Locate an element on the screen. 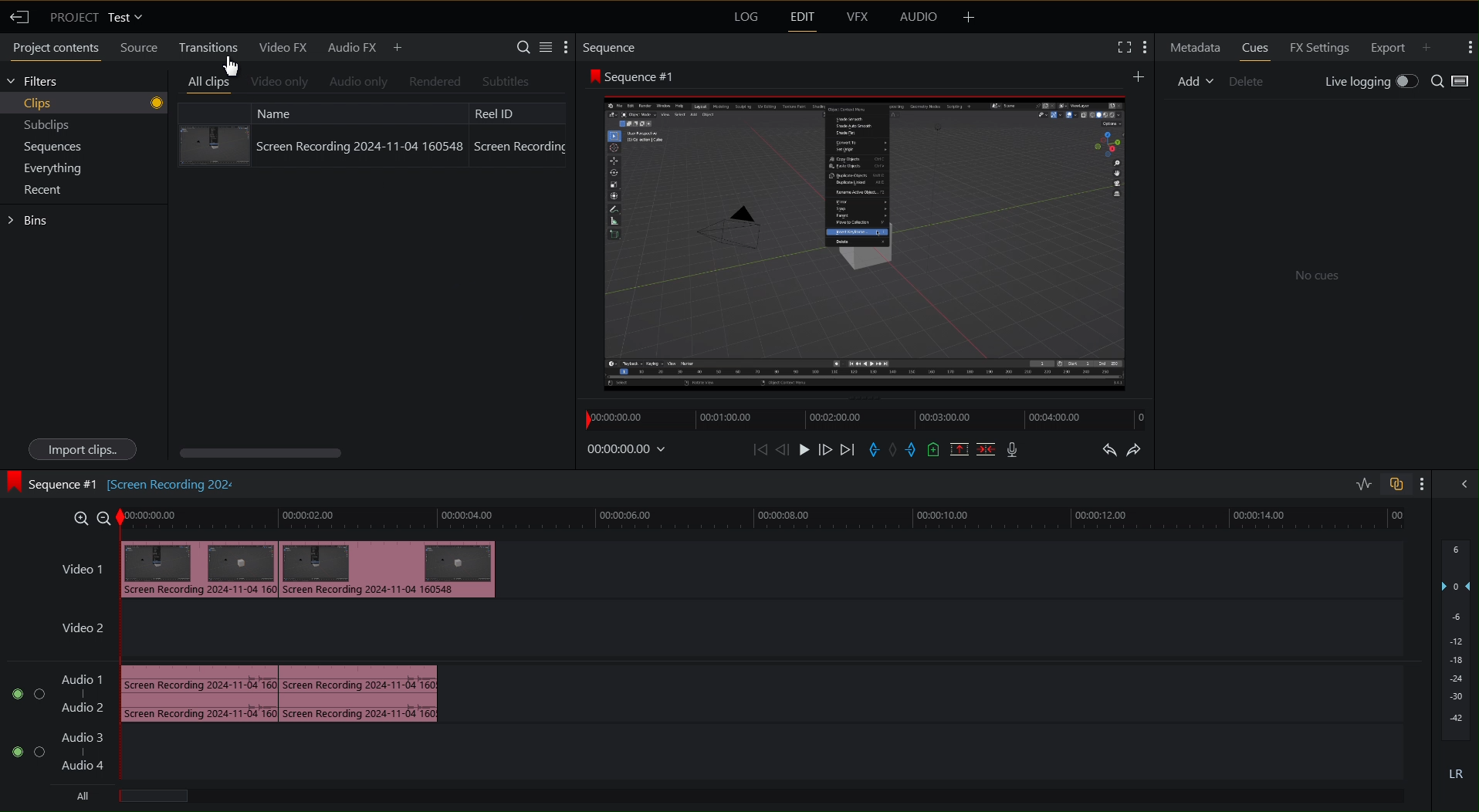 The height and width of the screenshot is (812, 1479). Audio Levels is located at coordinates (1456, 664).